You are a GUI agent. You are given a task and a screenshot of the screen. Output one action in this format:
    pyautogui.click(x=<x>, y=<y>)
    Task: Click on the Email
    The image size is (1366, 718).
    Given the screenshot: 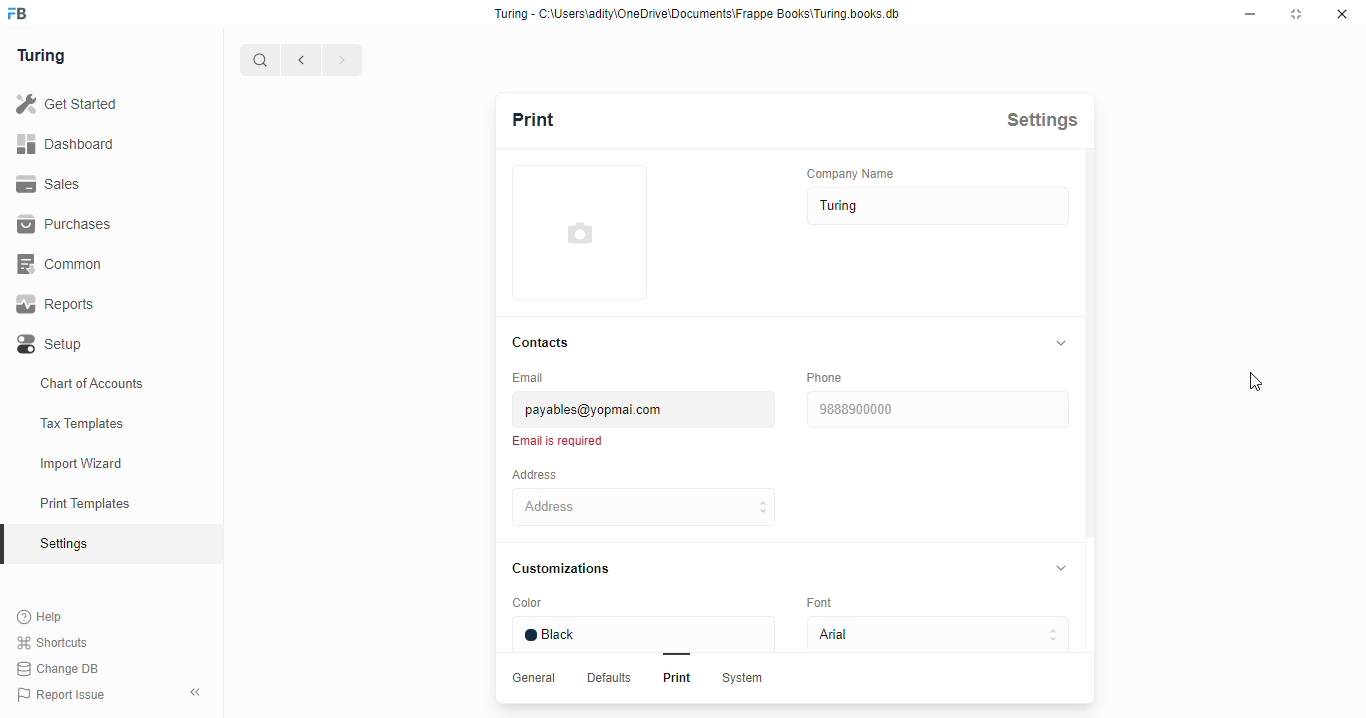 What is the action you would take?
    pyautogui.click(x=537, y=377)
    